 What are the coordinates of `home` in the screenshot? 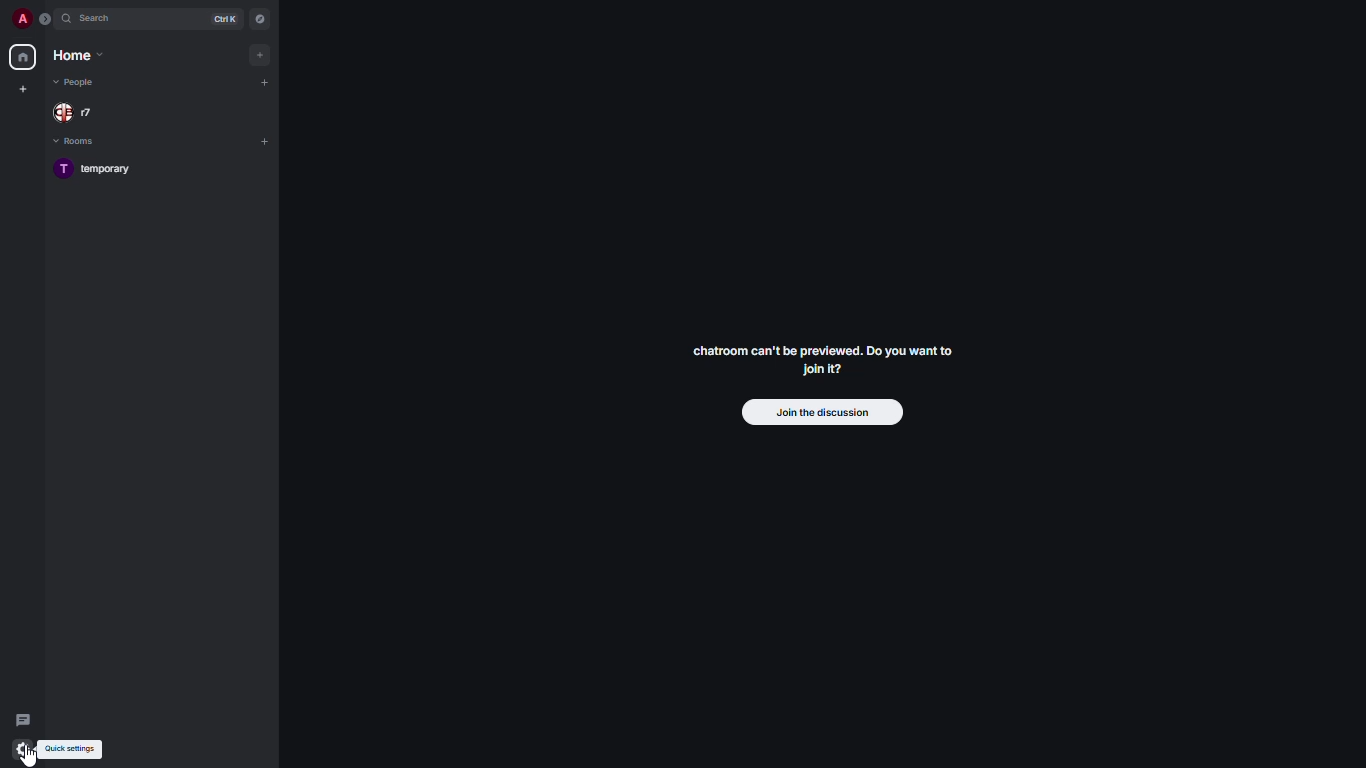 It's located at (80, 53).